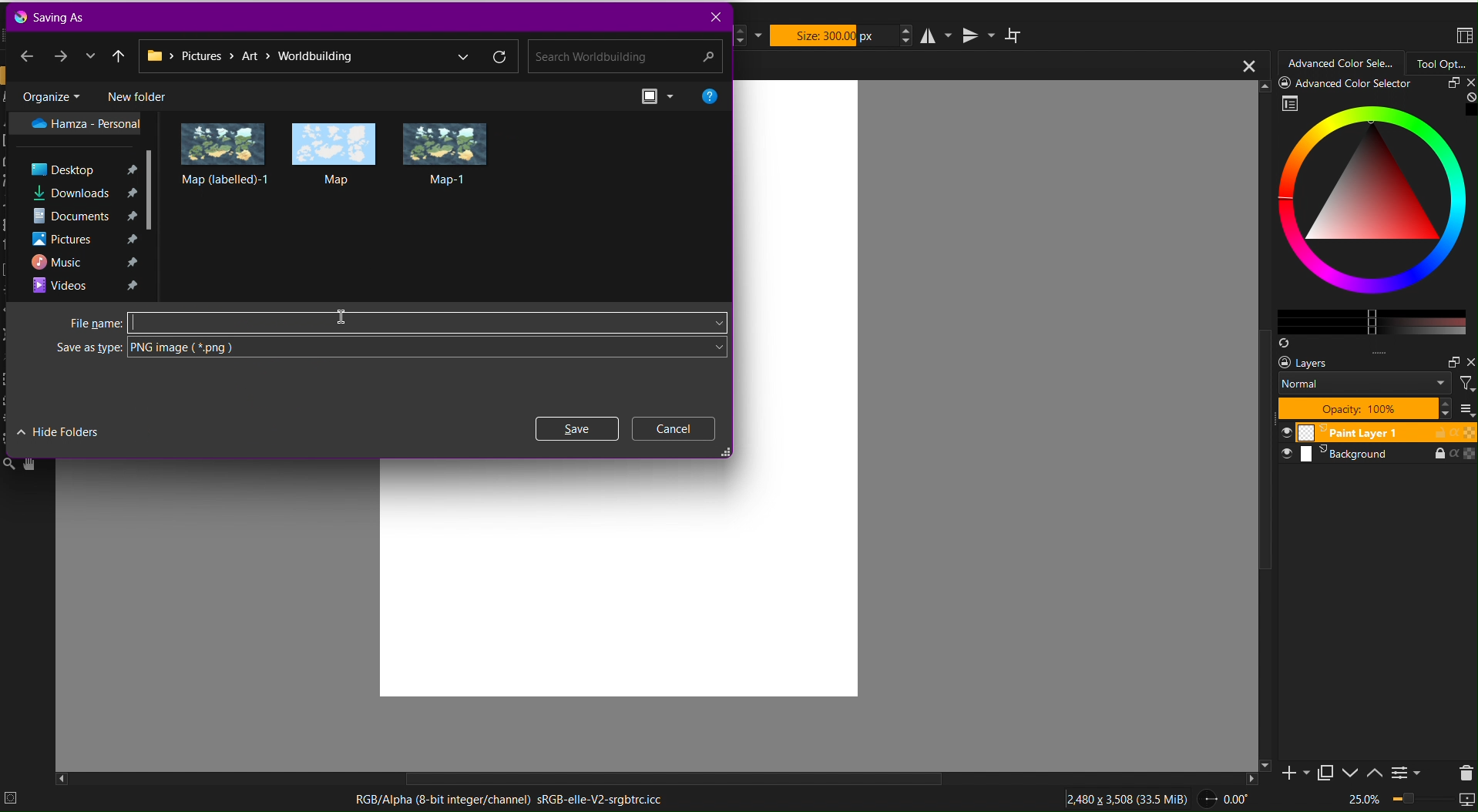  I want to click on PNG Images, so click(335, 153).